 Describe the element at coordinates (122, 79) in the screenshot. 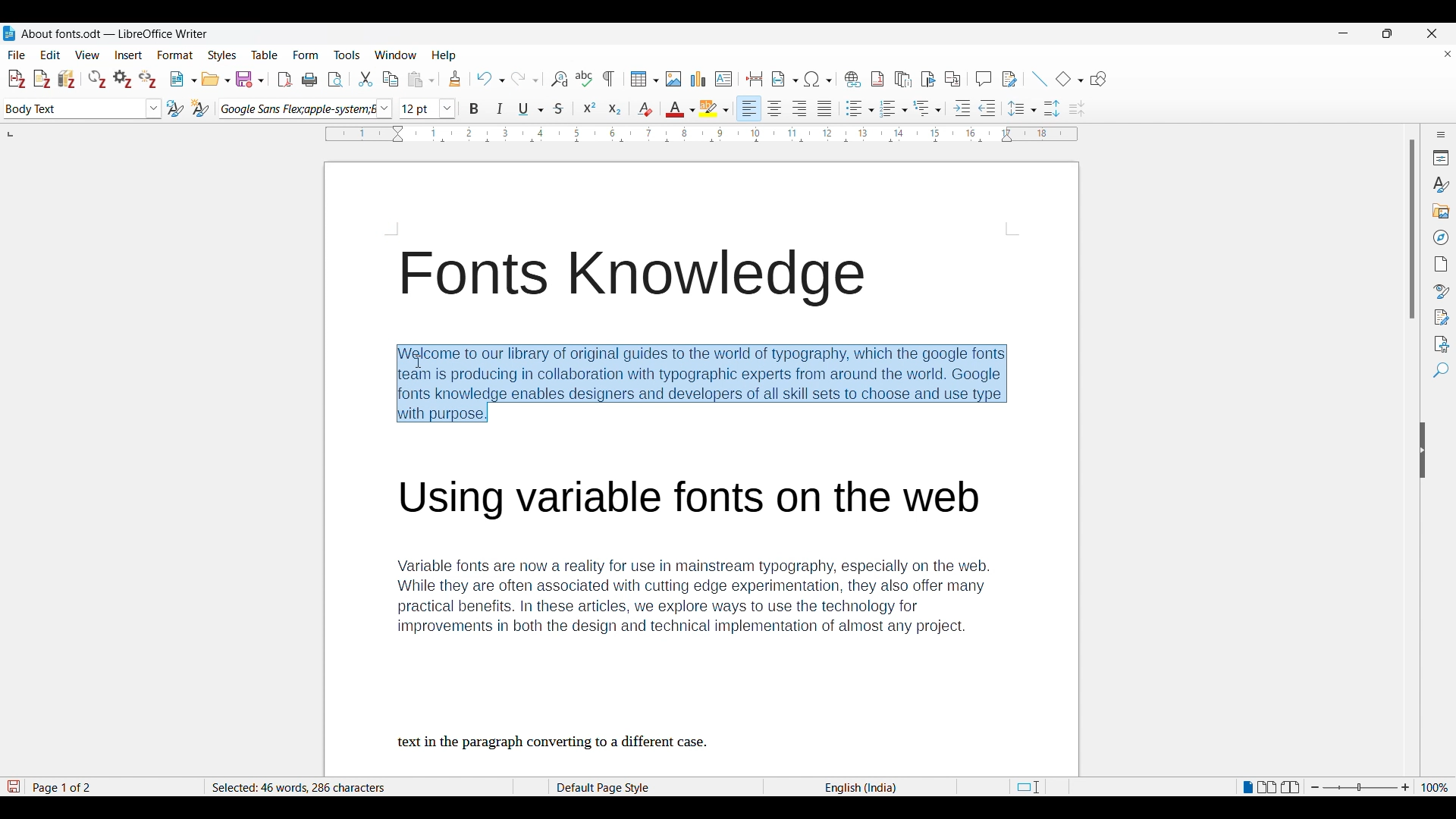

I see `Set document preferences` at that location.